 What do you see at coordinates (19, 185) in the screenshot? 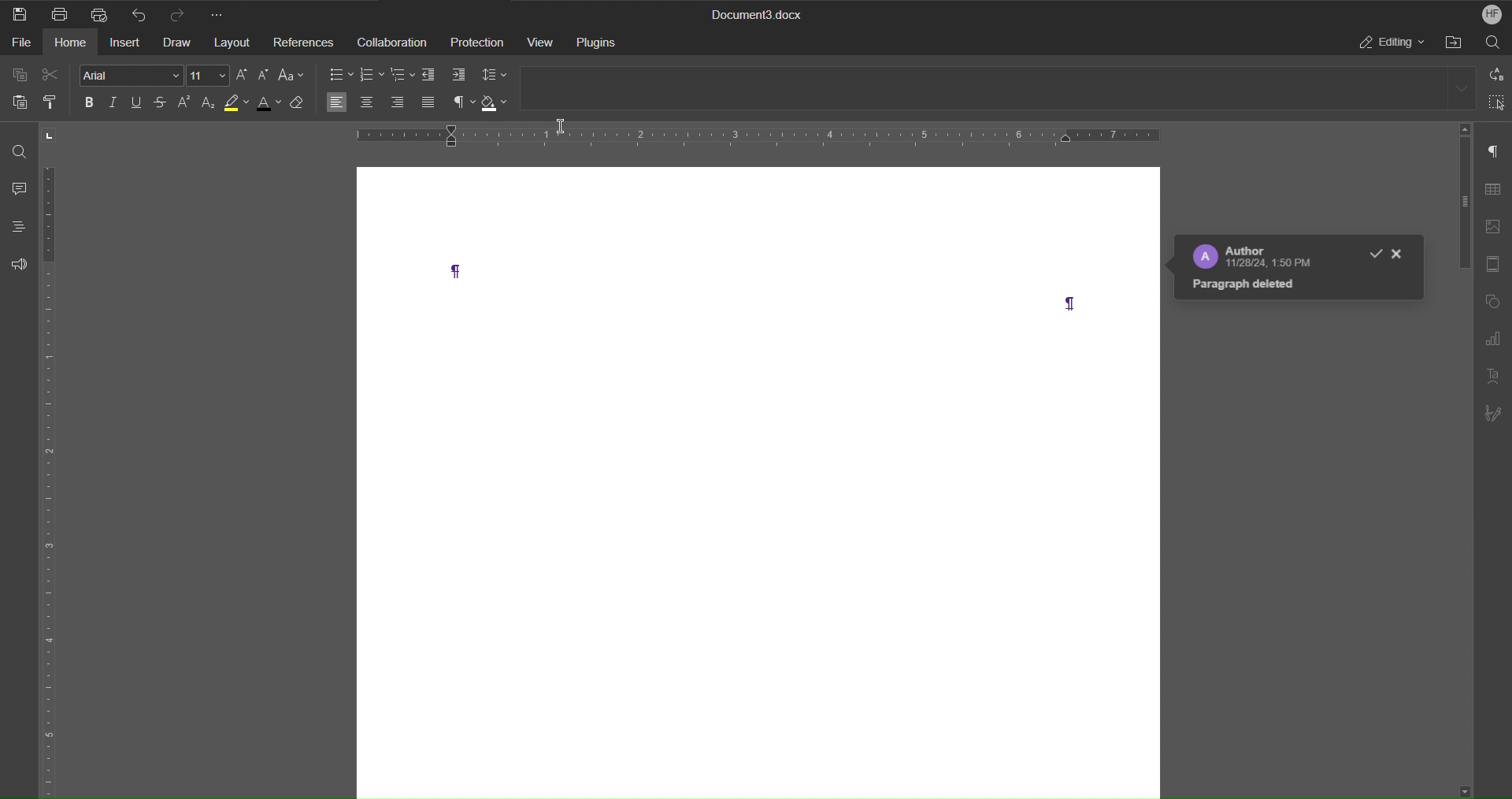
I see `Comment` at bounding box center [19, 185].